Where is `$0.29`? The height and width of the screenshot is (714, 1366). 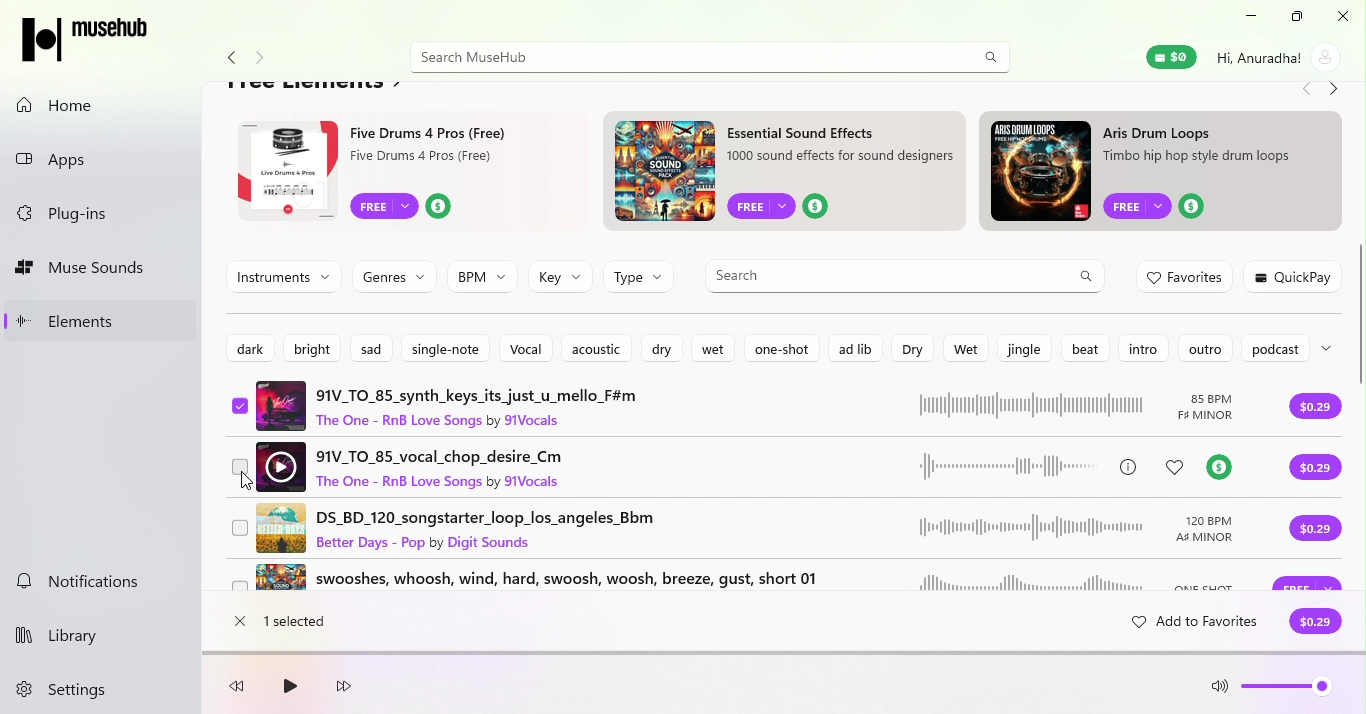 $0.29 is located at coordinates (1315, 623).